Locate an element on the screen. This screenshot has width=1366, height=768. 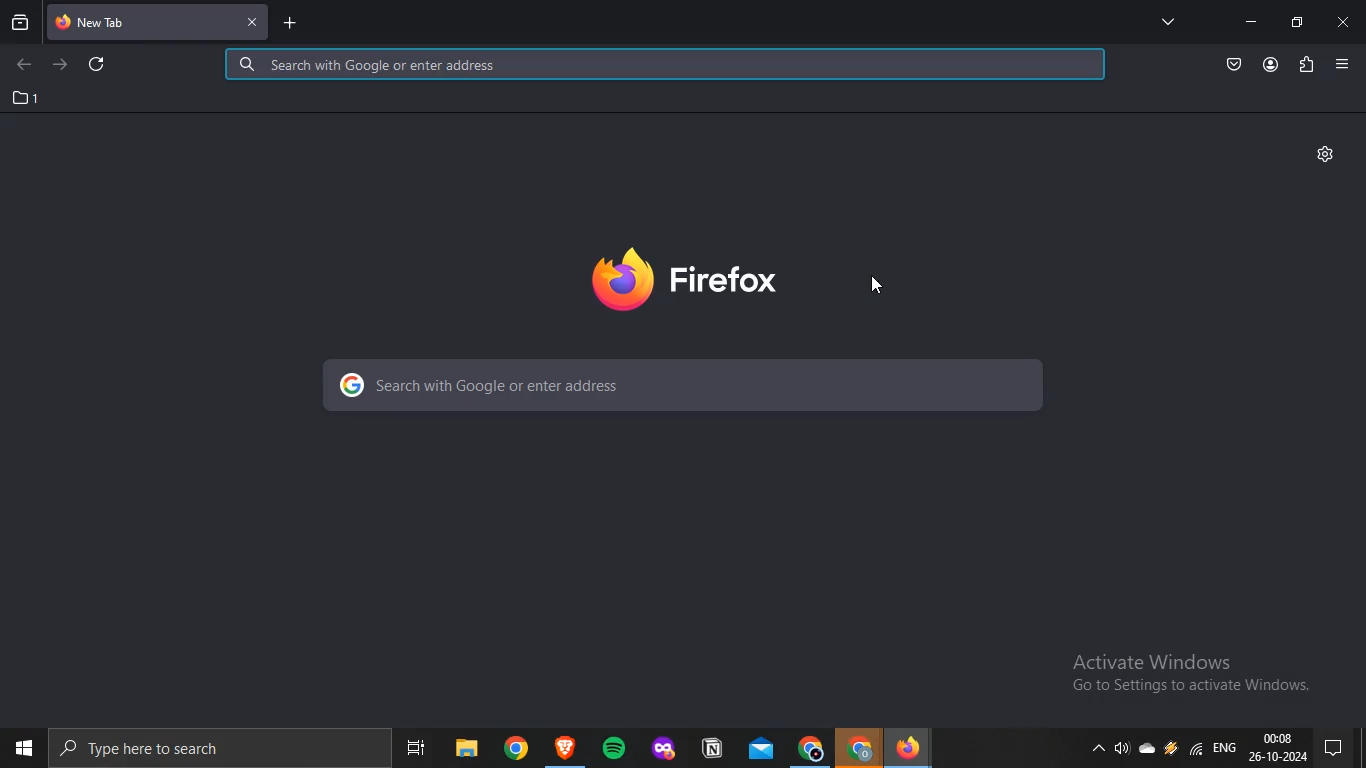
refresh is located at coordinates (98, 63).